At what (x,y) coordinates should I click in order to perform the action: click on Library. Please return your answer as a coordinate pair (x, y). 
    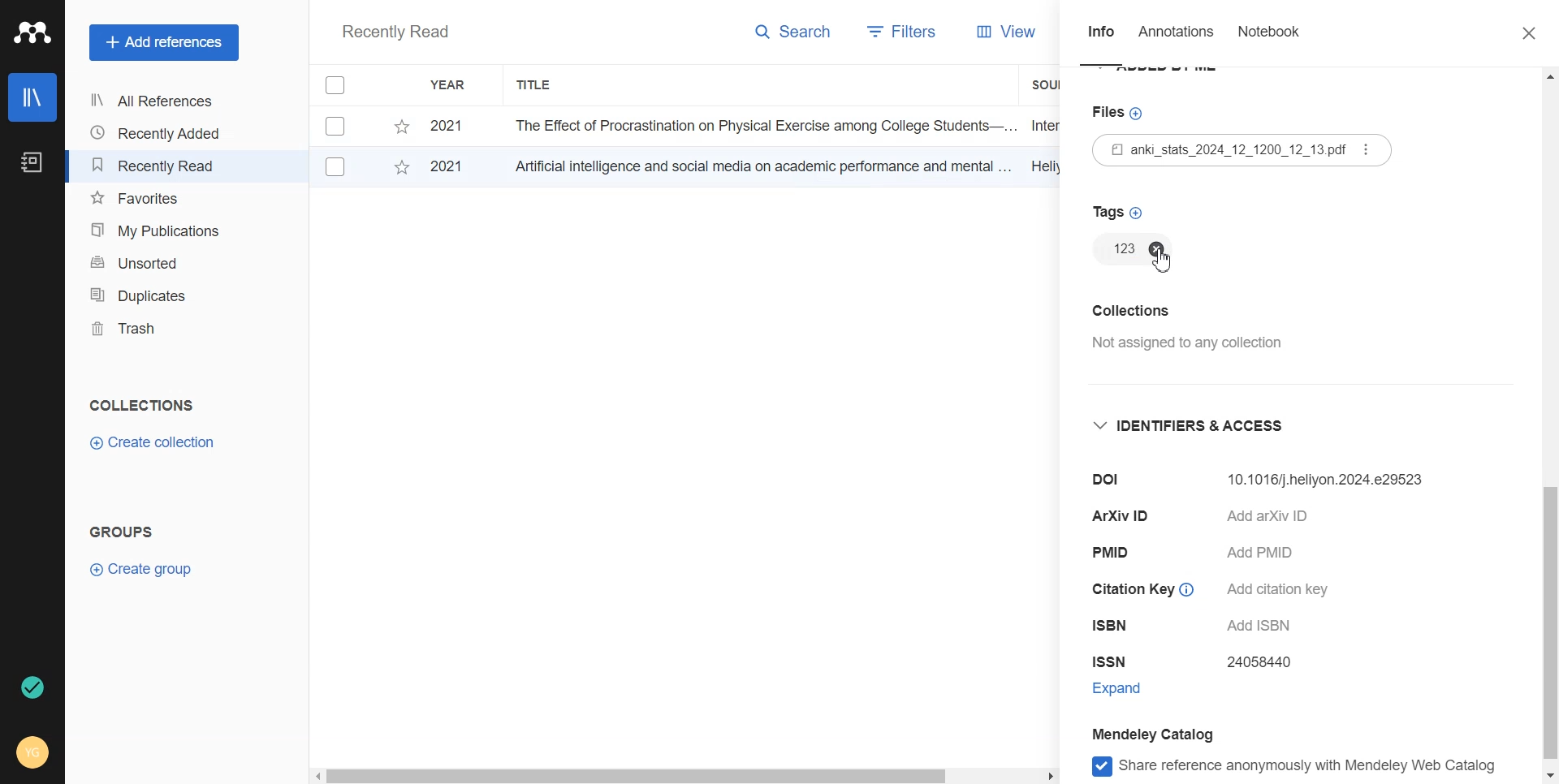
    Looking at the image, I should click on (33, 97).